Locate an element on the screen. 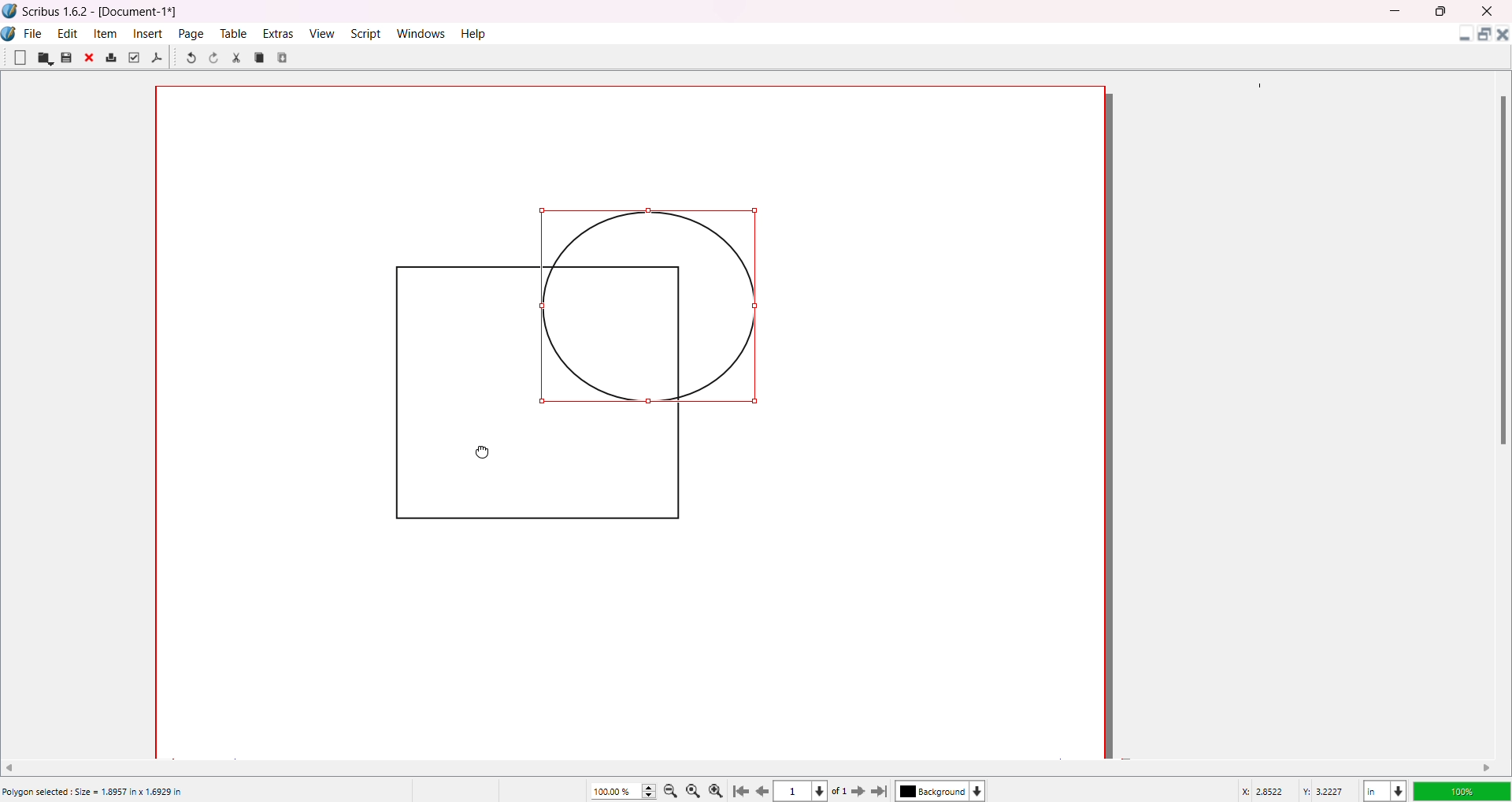 The width and height of the screenshot is (1512, 802). Preflight Verifier is located at coordinates (133, 58).